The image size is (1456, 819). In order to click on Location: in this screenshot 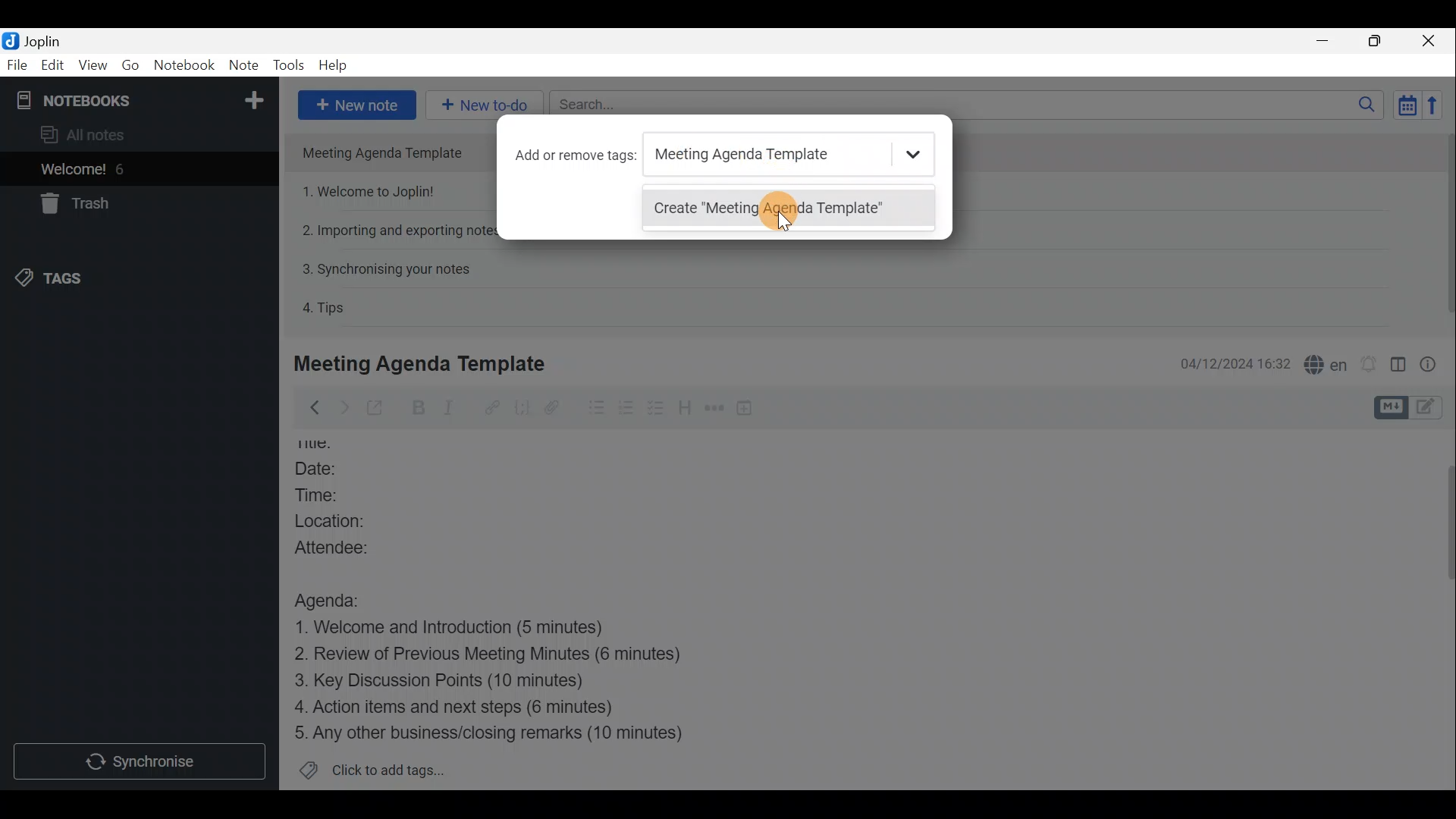, I will do `click(348, 521)`.